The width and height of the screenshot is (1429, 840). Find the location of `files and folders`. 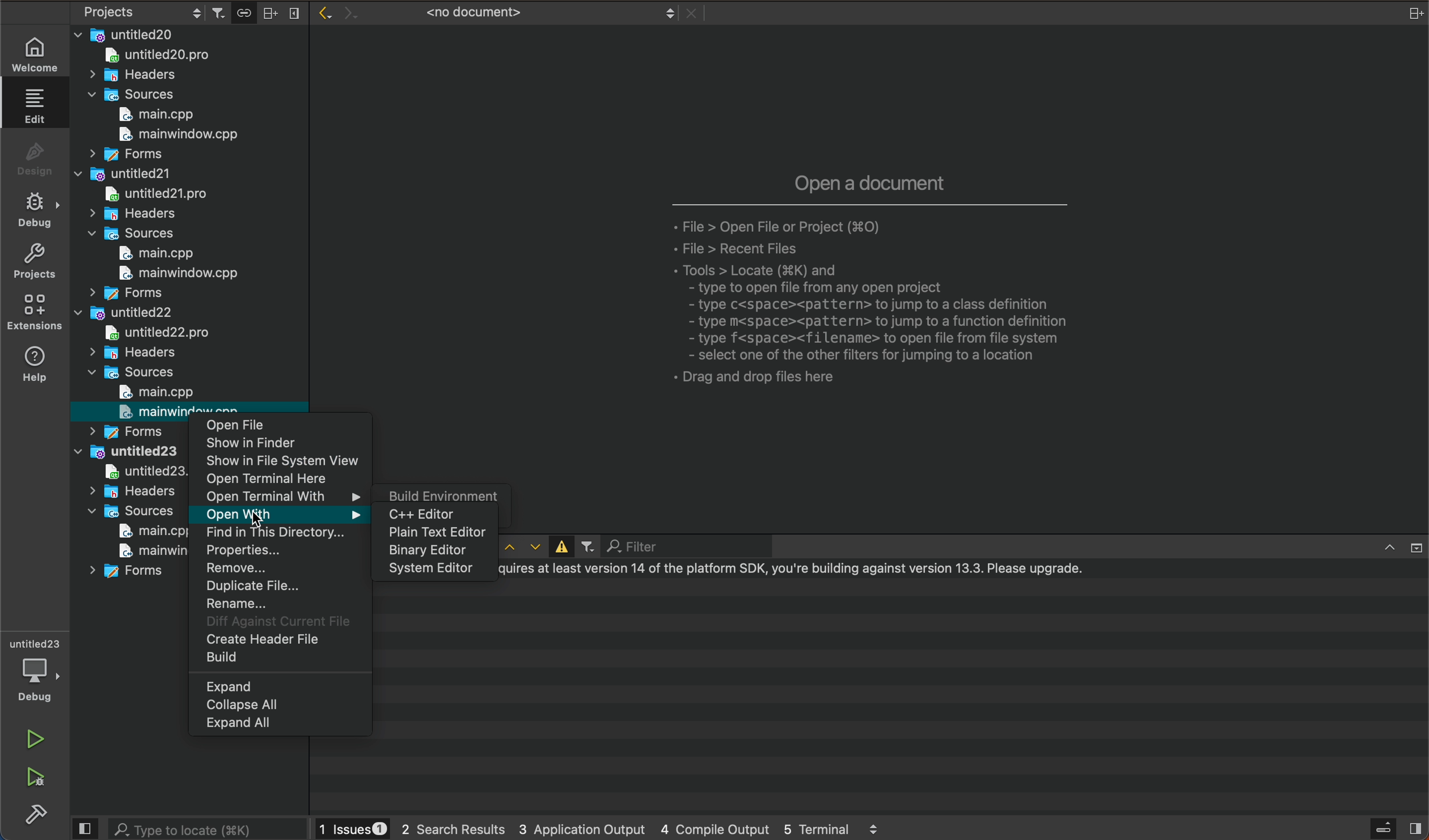

files and folders is located at coordinates (188, 34).